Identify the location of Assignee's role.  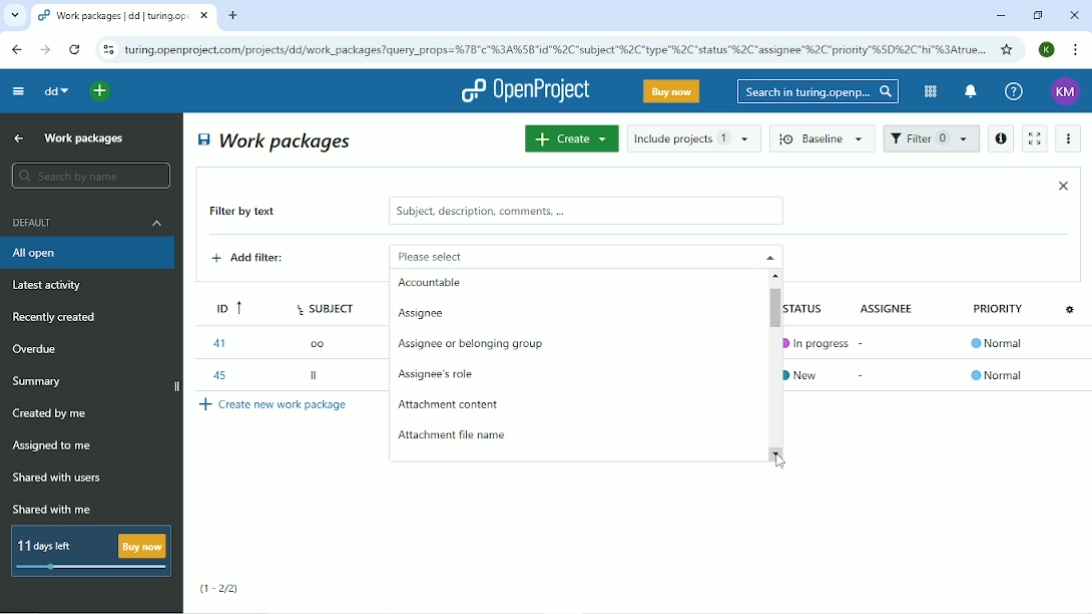
(439, 376).